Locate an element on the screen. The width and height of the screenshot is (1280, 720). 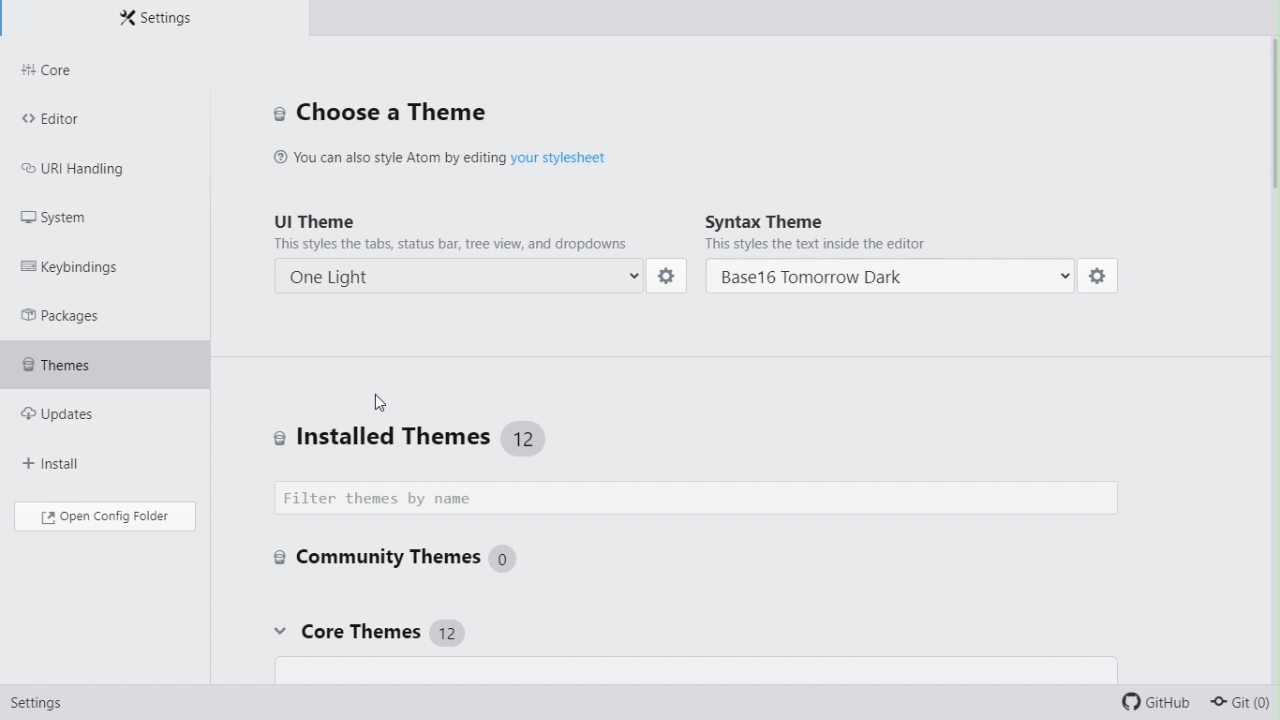
Community themes is located at coordinates (399, 559).